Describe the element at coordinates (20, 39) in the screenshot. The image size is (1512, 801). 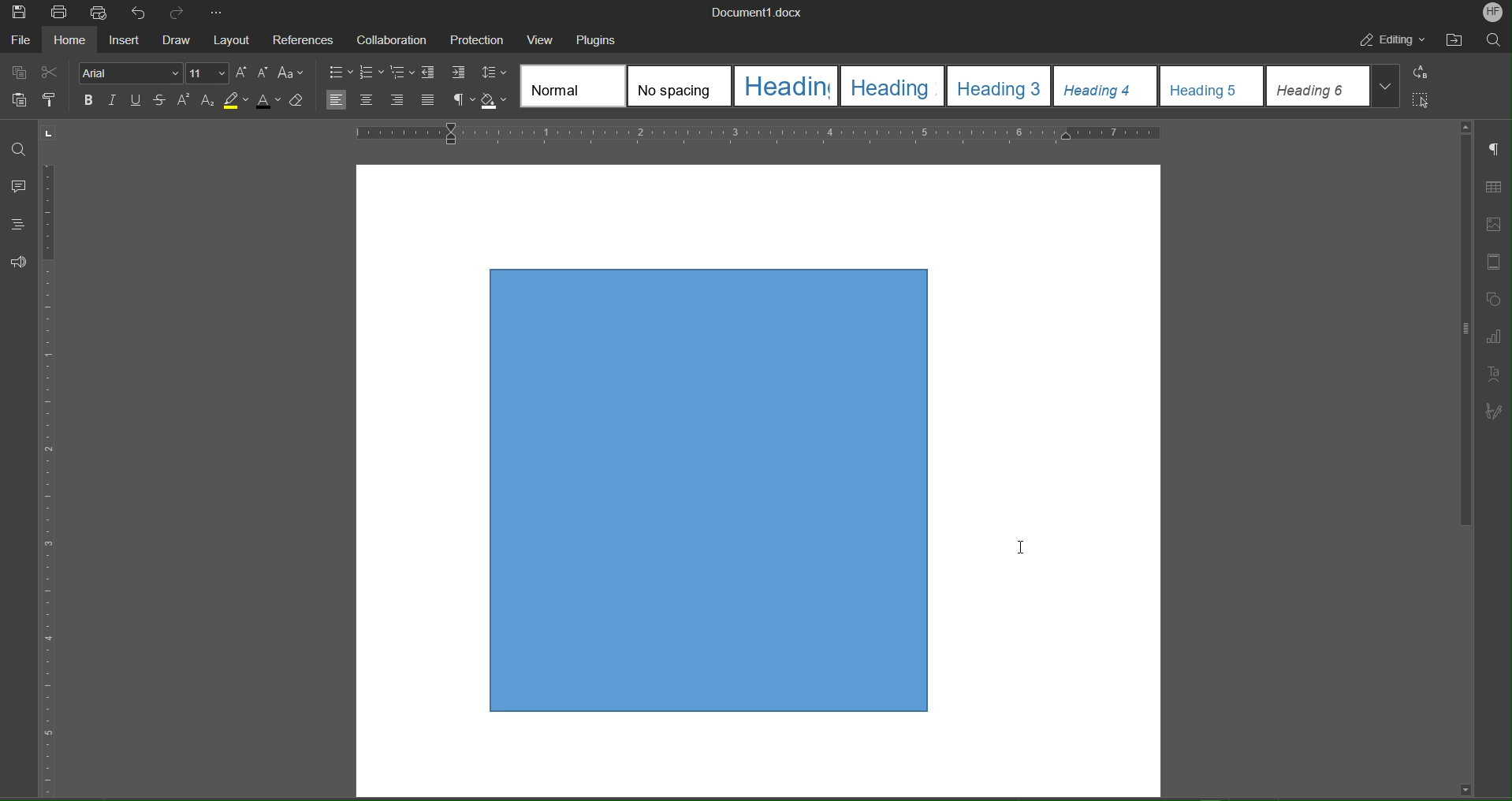
I see `File` at that location.